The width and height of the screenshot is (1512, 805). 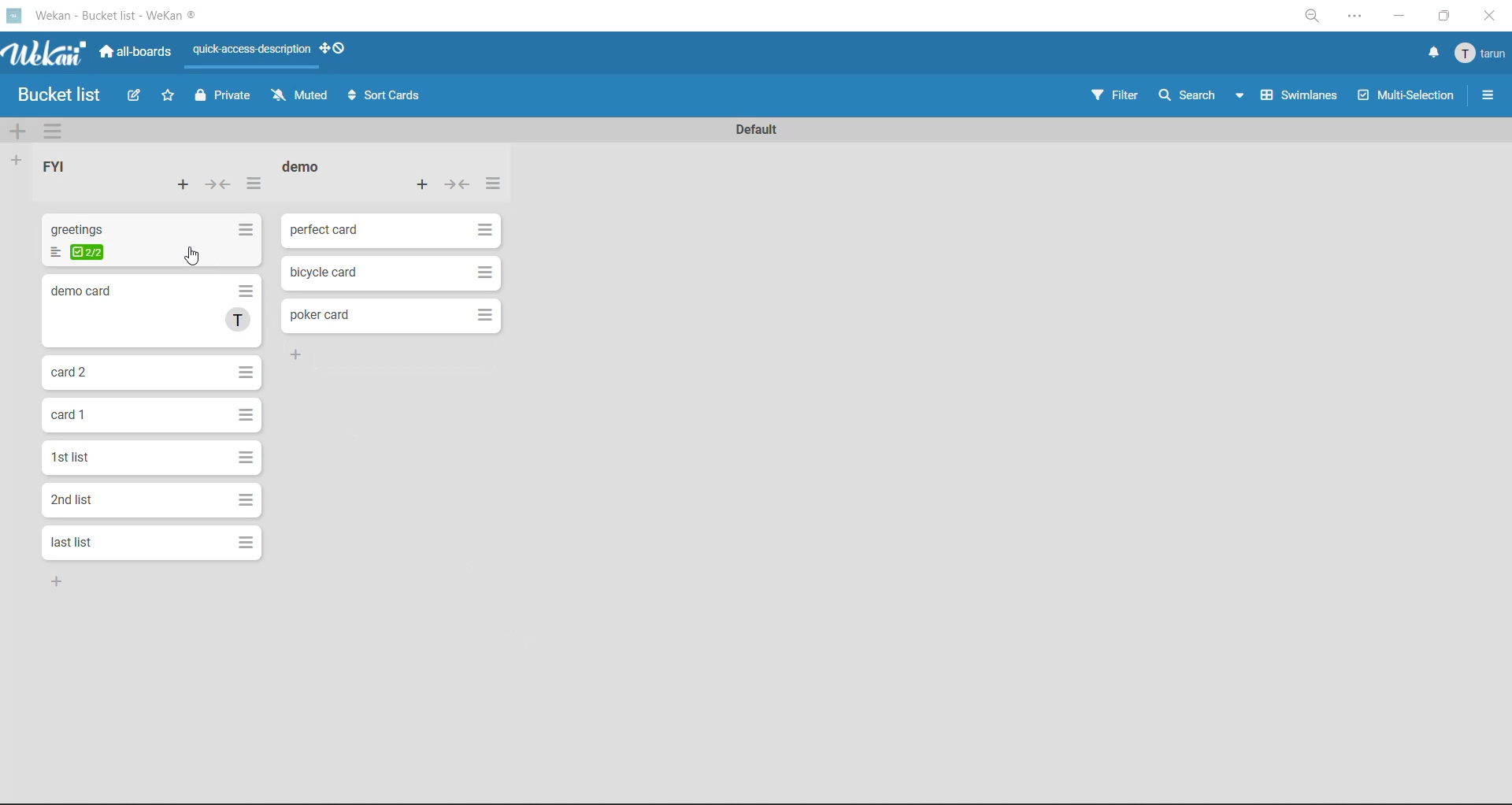 I want to click on settings, so click(x=1359, y=17).